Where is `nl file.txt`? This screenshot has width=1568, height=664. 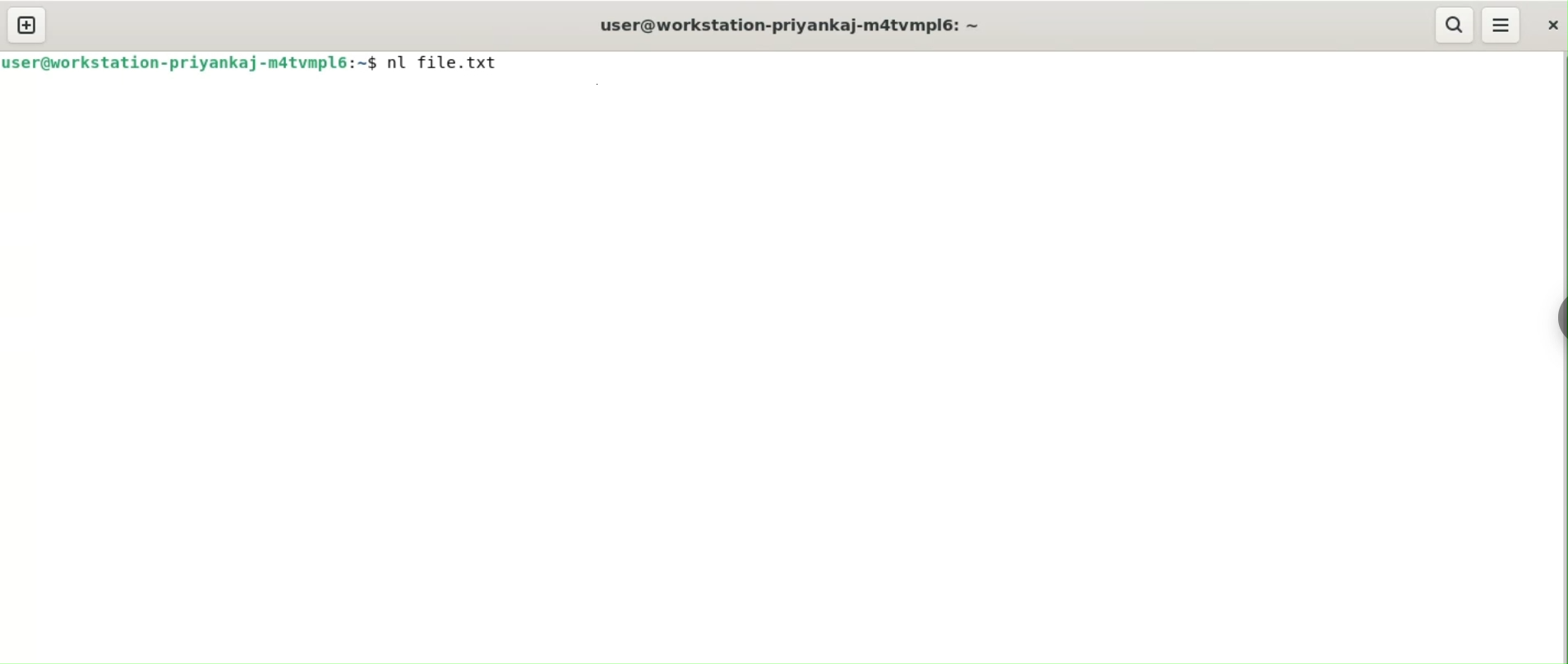 nl file.txt is located at coordinates (446, 62).